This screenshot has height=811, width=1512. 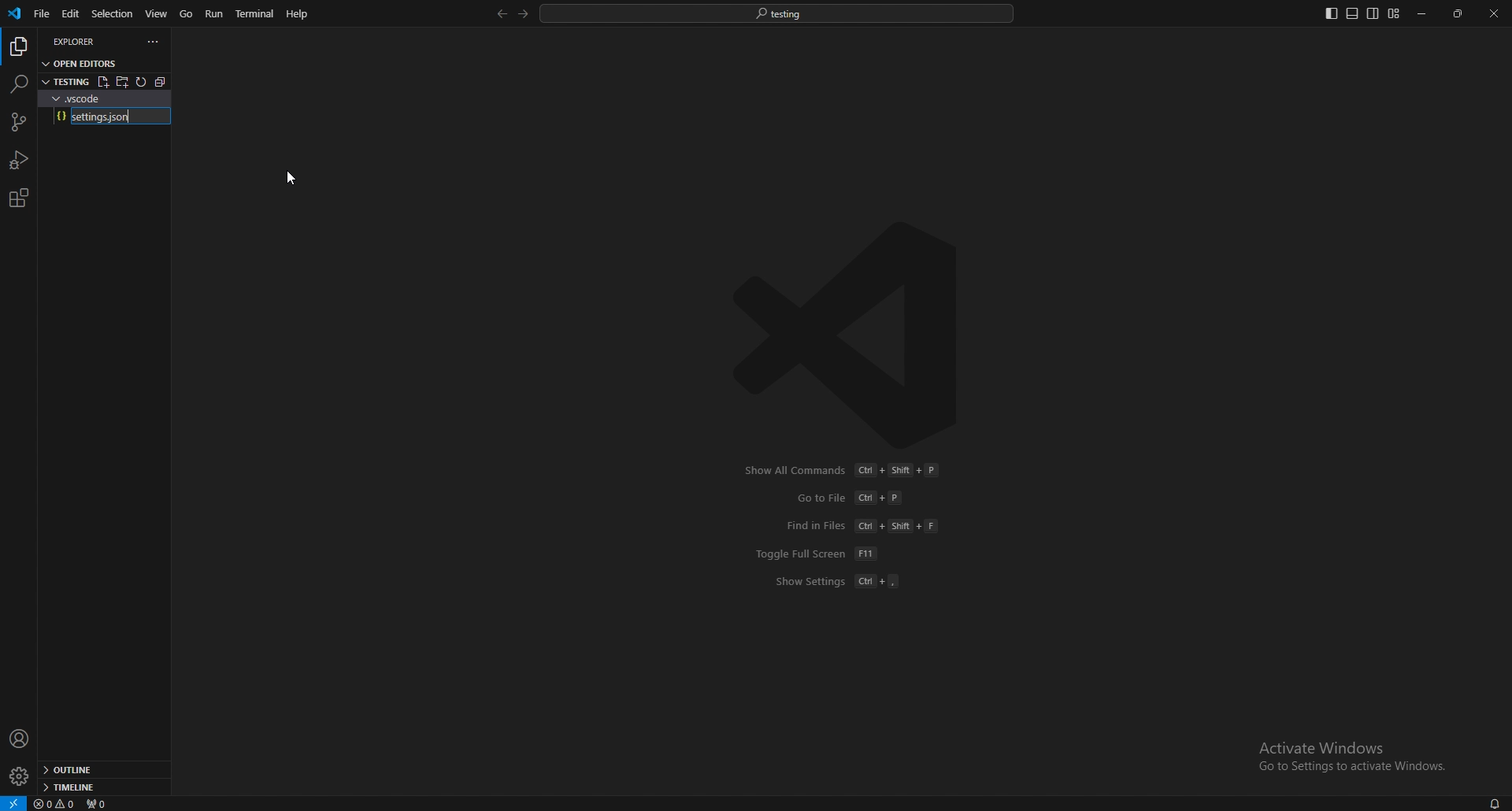 I want to click on notification, so click(x=1493, y=803).